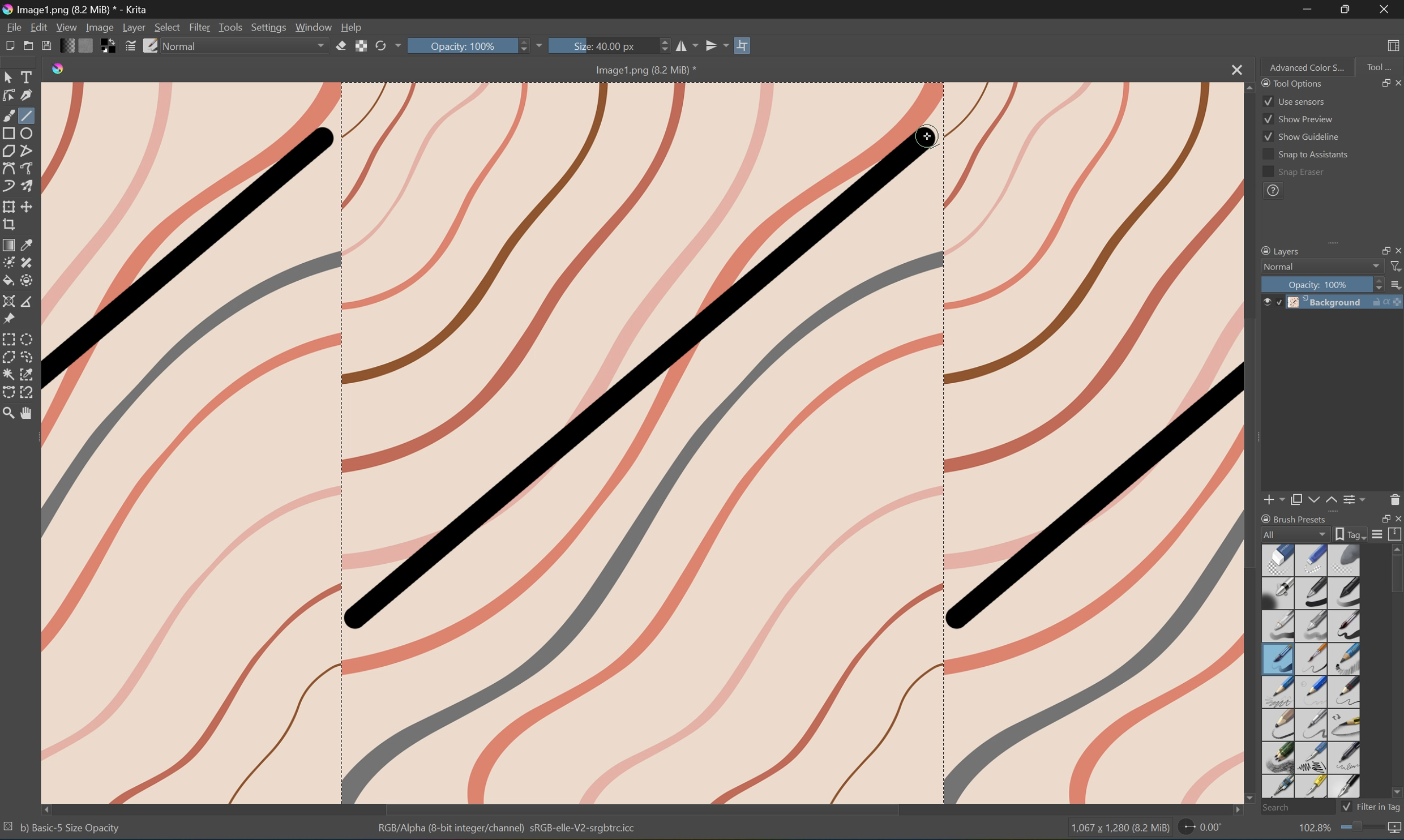 This screenshot has height=840, width=1404. What do you see at coordinates (1313, 829) in the screenshot?
I see `102.8%` at bounding box center [1313, 829].